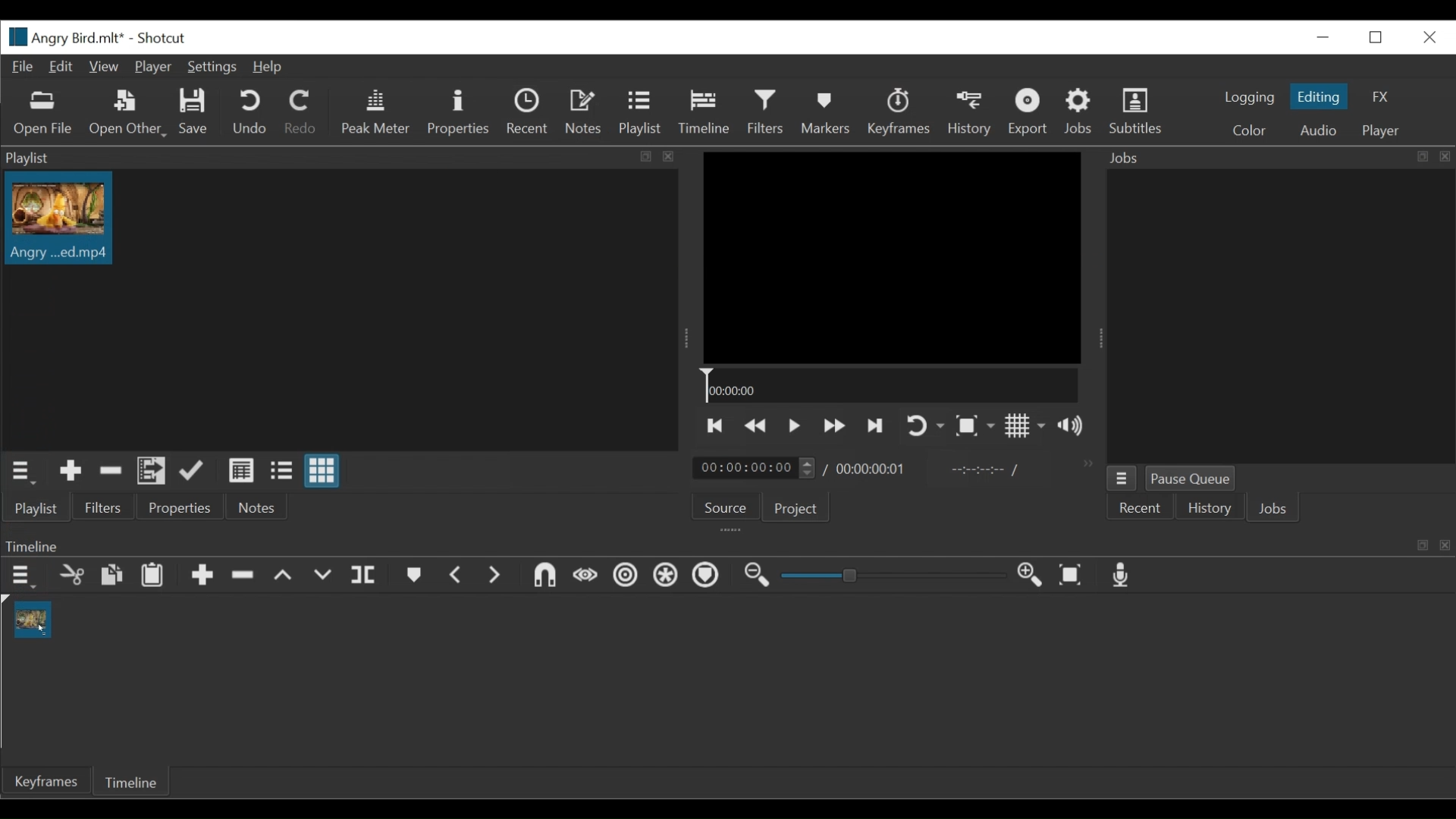  Describe the element at coordinates (827, 111) in the screenshot. I see `Markers` at that location.